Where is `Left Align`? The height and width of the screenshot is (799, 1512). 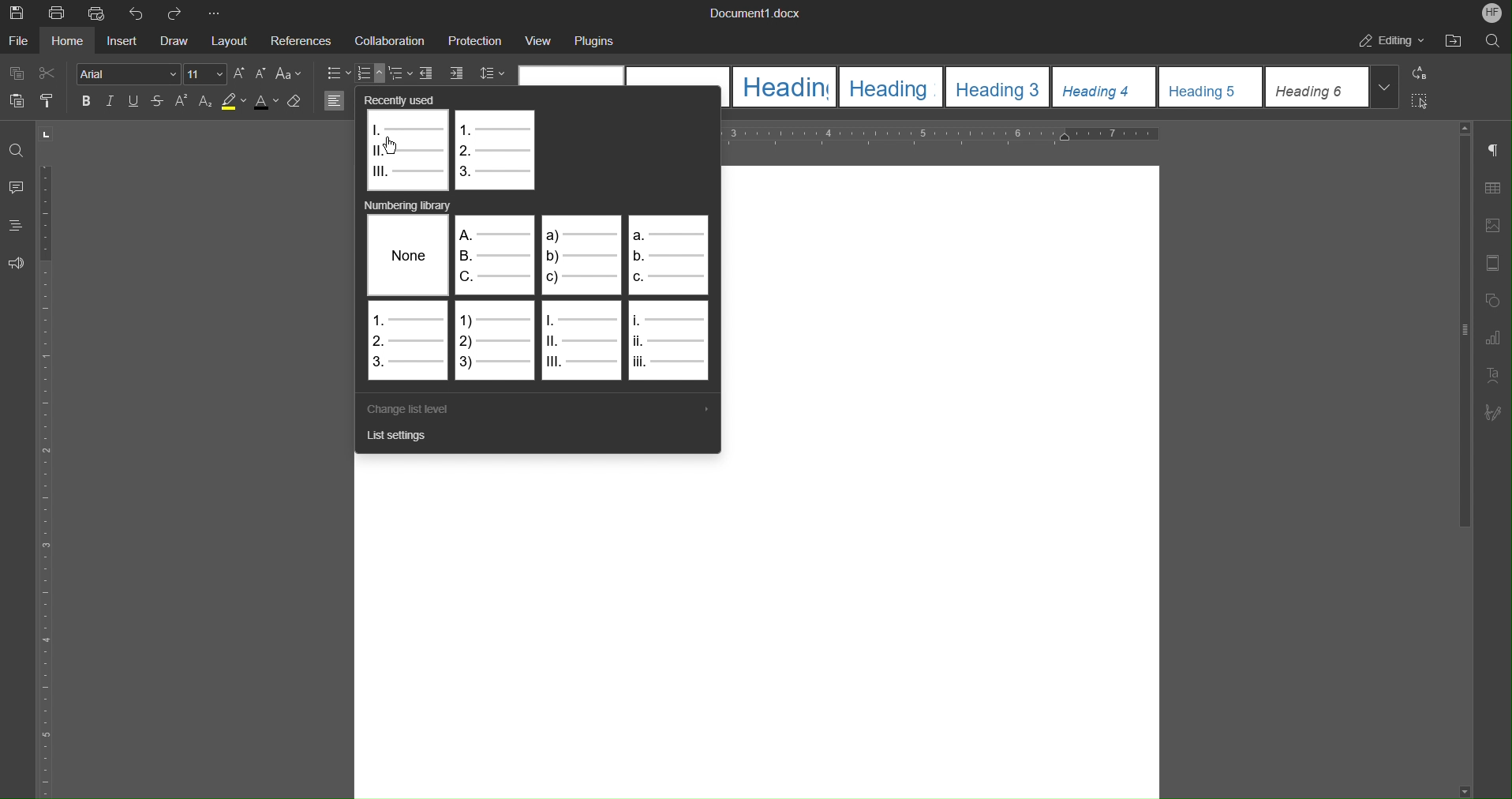
Left Align is located at coordinates (334, 101).